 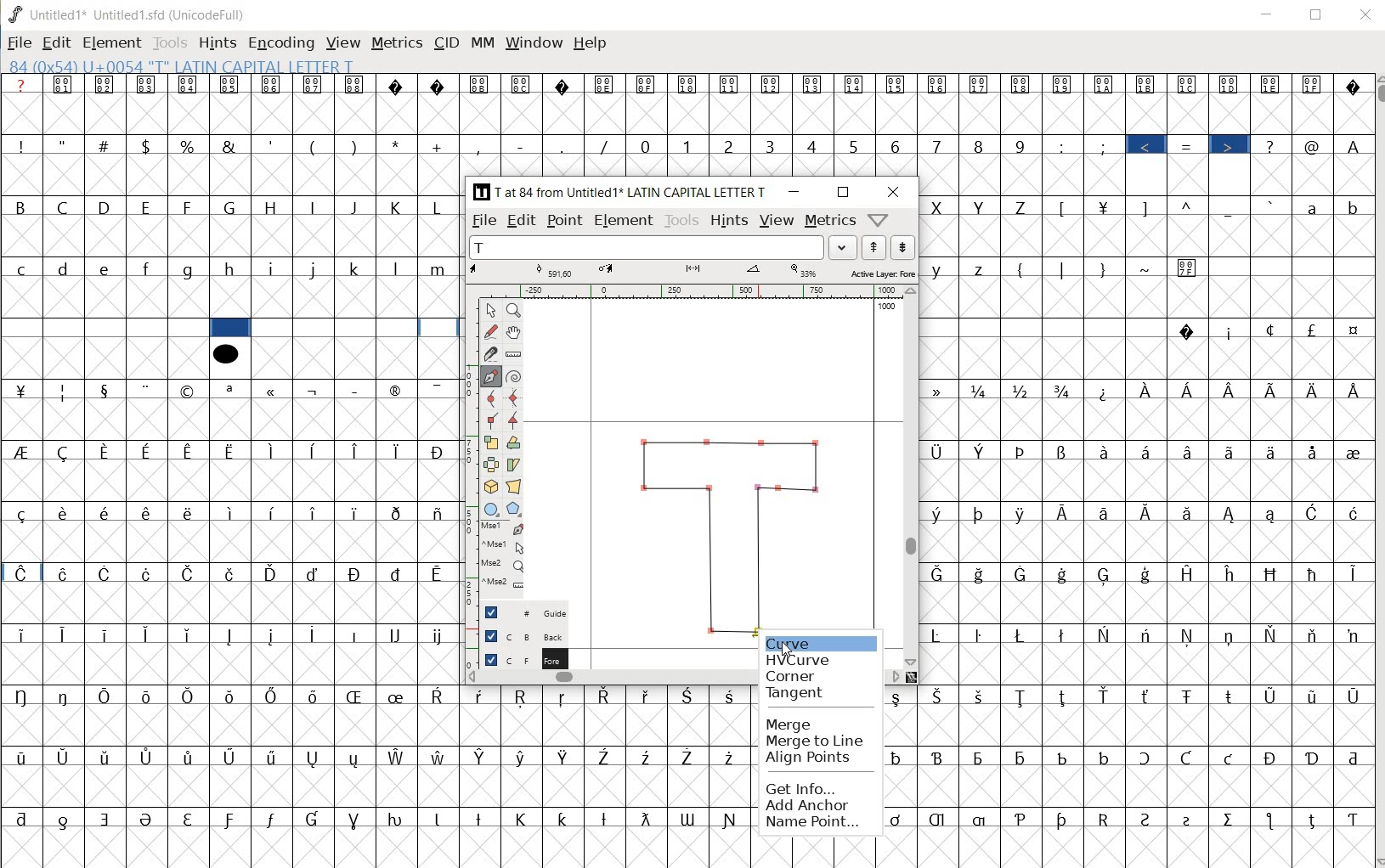 What do you see at coordinates (356, 146) in the screenshot?
I see `)` at bounding box center [356, 146].